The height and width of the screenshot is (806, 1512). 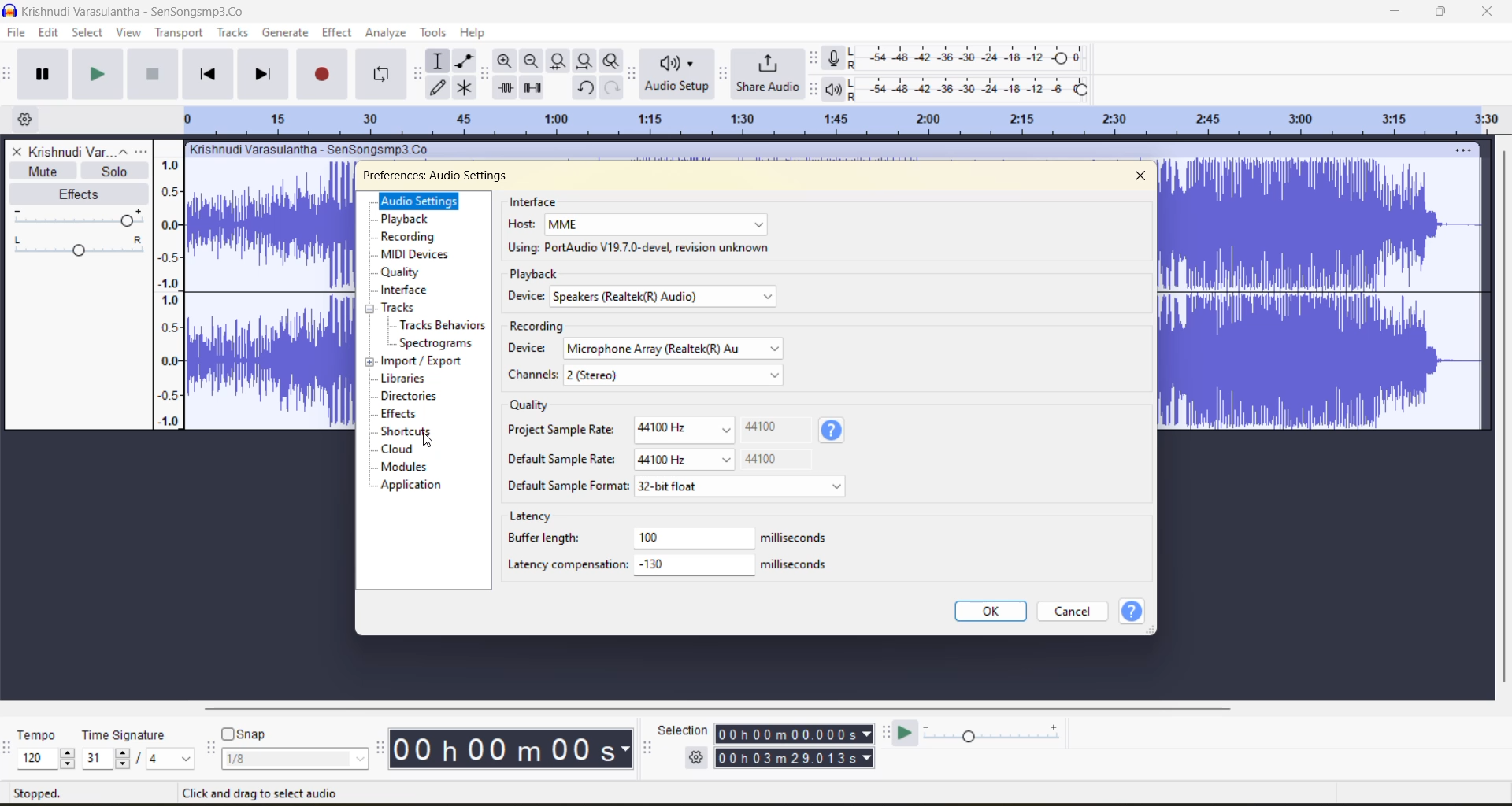 What do you see at coordinates (416, 74) in the screenshot?
I see `tools toolbar` at bounding box center [416, 74].